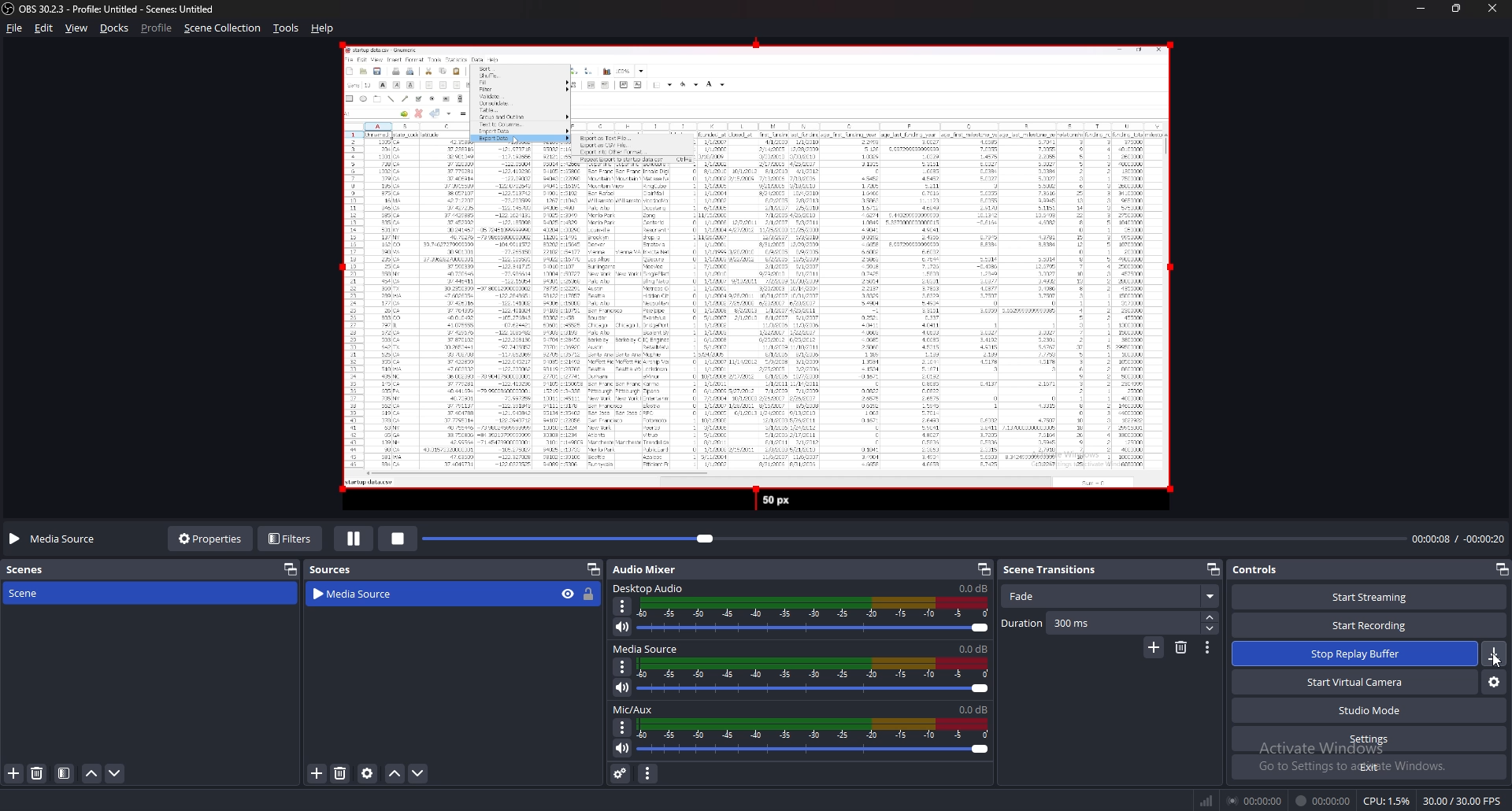  Describe the element at coordinates (398, 539) in the screenshot. I see `stop` at that location.